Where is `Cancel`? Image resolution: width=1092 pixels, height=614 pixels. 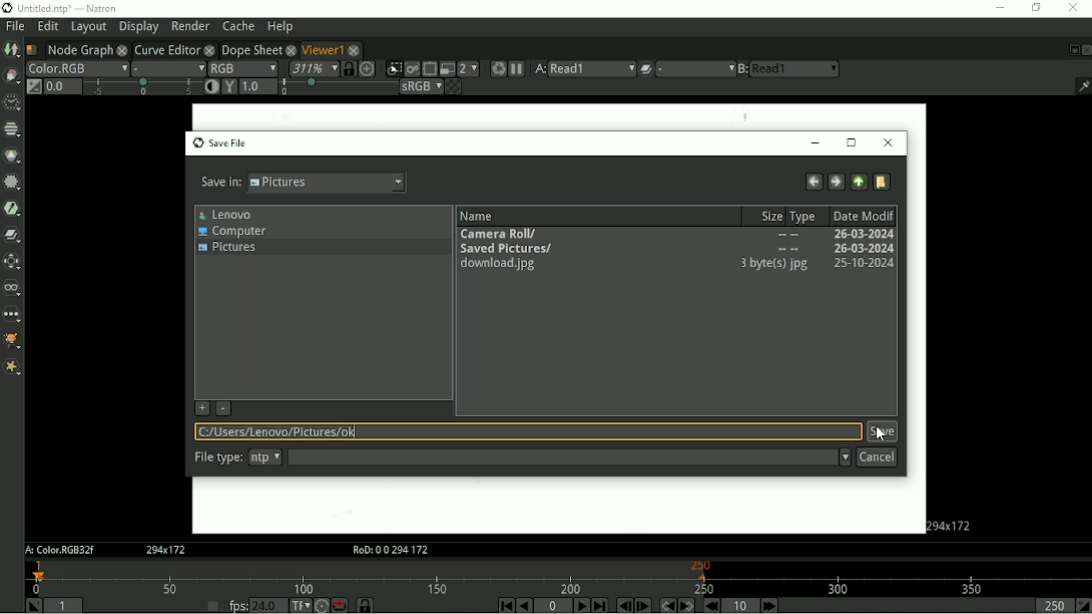
Cancel is located at coordinates (878, 457).